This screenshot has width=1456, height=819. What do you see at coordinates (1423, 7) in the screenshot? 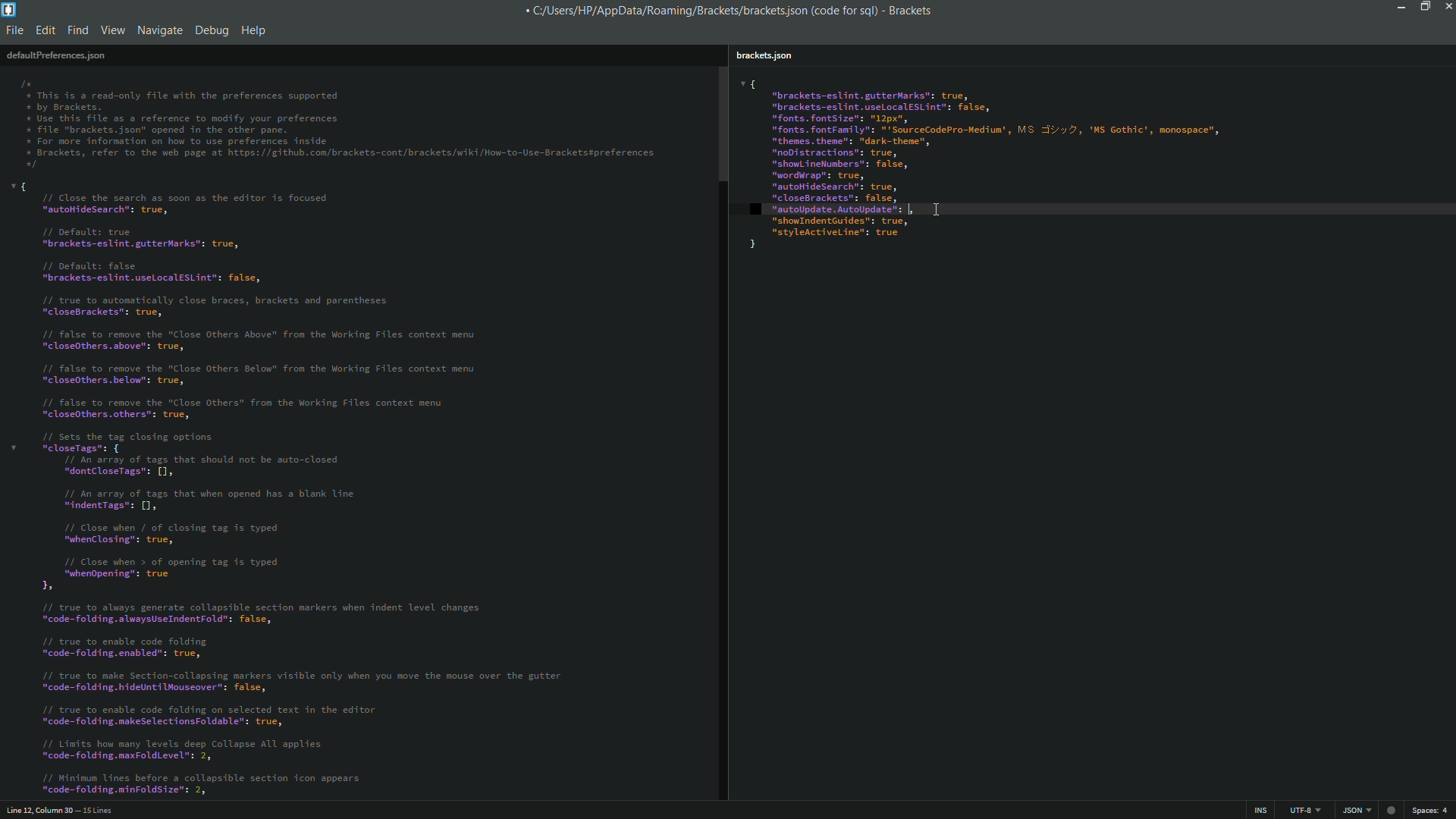
I see `maximize` at bounding box center [1423, 7].